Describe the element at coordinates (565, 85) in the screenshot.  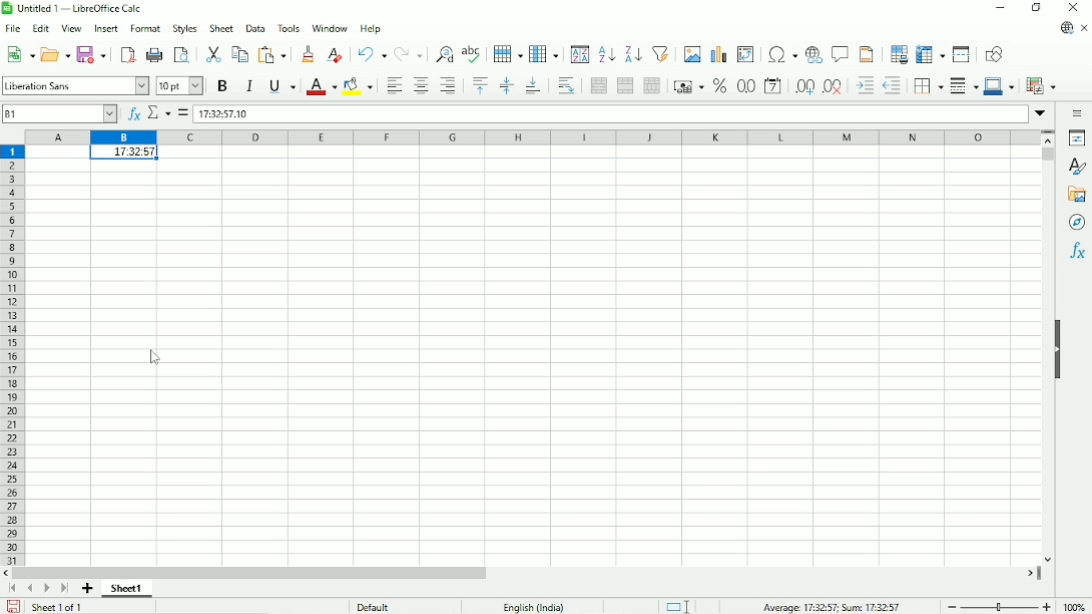
I see `Wrap text` at that location.